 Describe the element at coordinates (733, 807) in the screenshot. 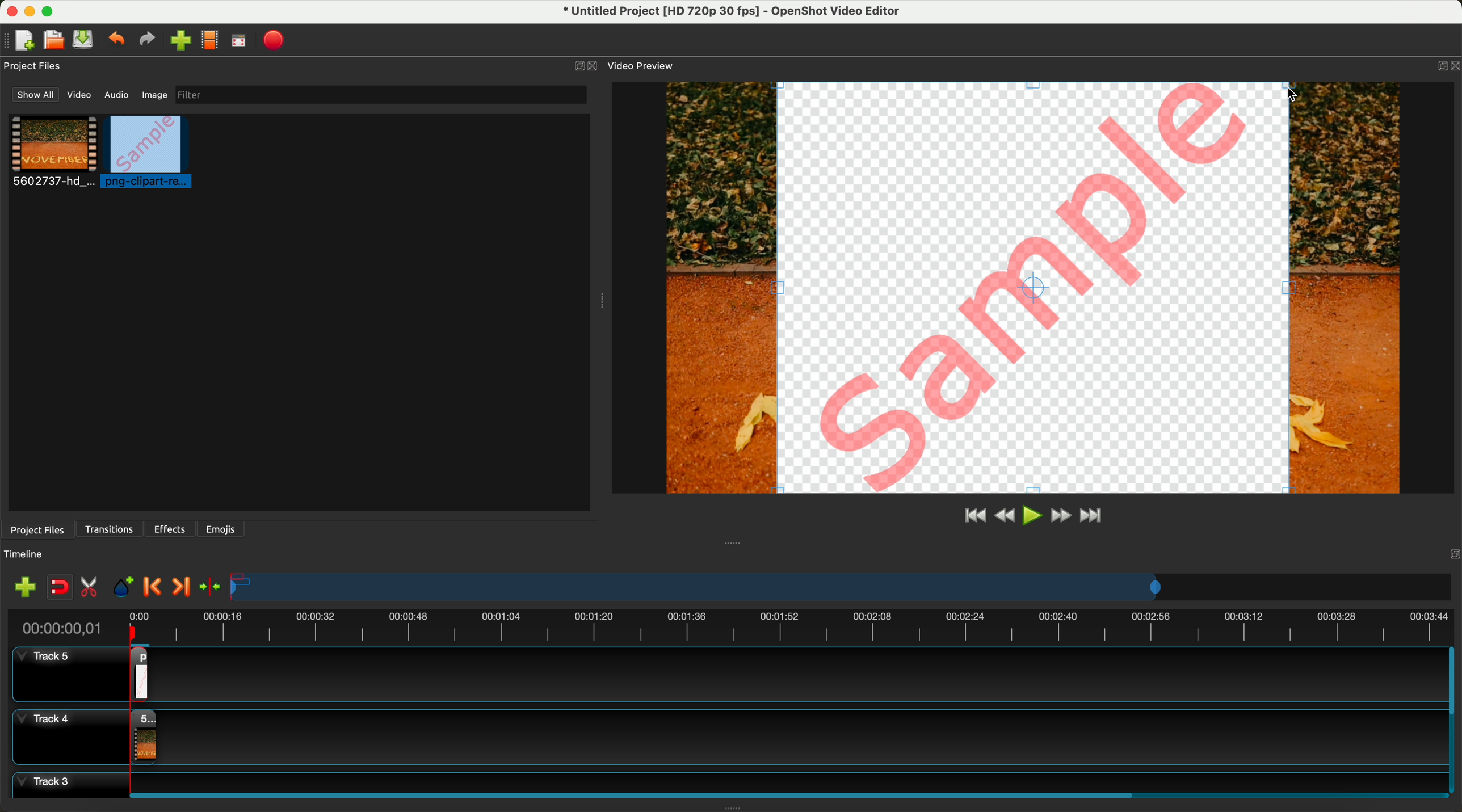

I see `Window Expanding` at that location.